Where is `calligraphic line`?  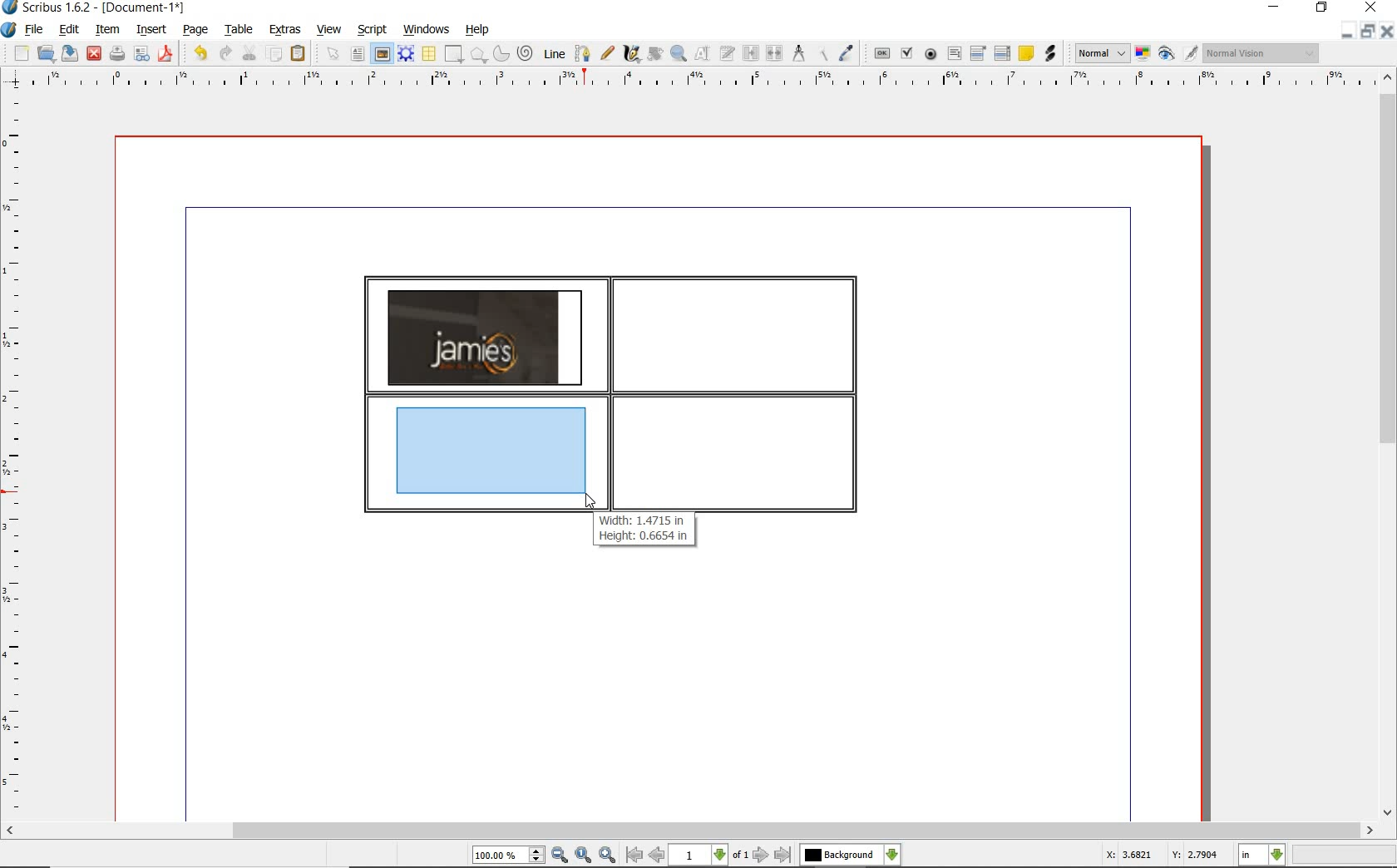 calligraphic line is located at coordinates (632, 54).